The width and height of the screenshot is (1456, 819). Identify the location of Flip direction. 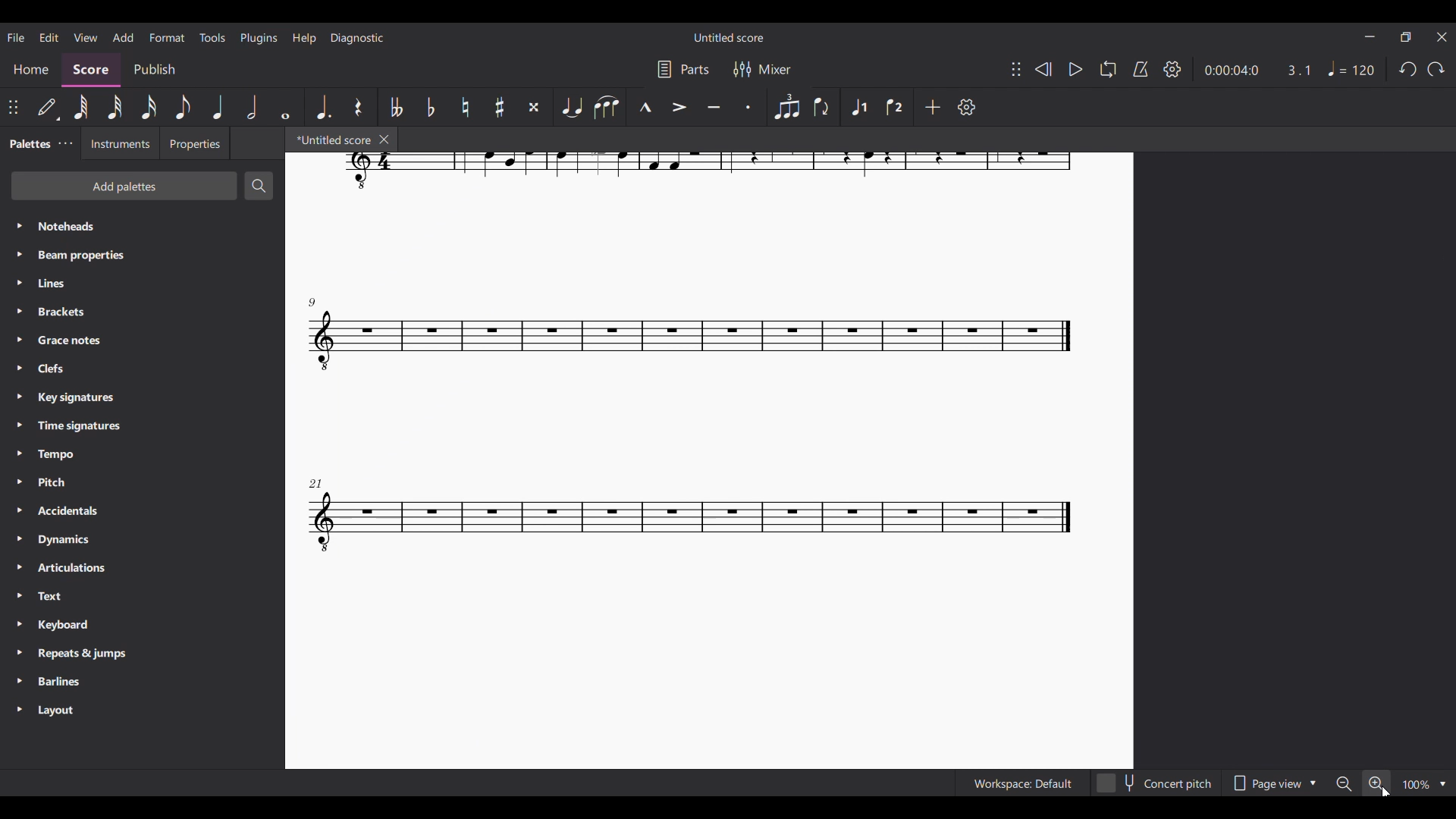
(823, 107).